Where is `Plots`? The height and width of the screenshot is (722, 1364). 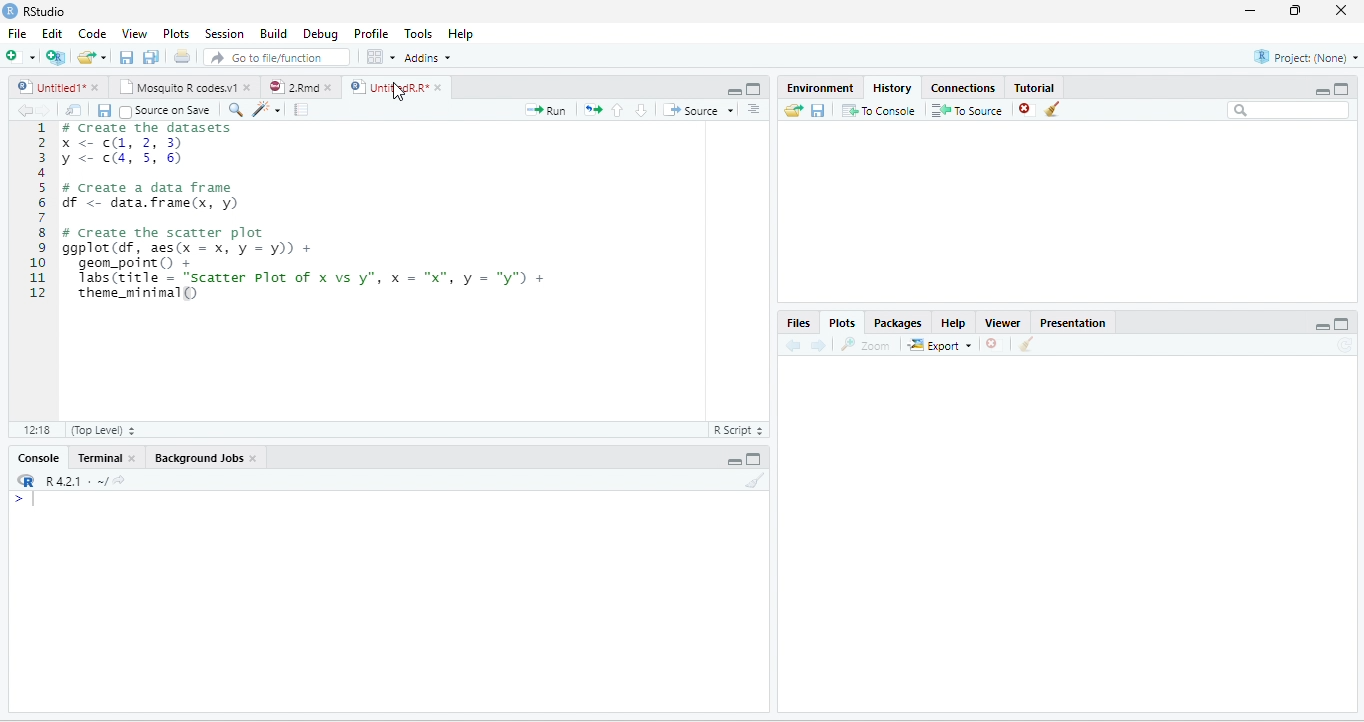 Plots is located at coordinates (176, 33).